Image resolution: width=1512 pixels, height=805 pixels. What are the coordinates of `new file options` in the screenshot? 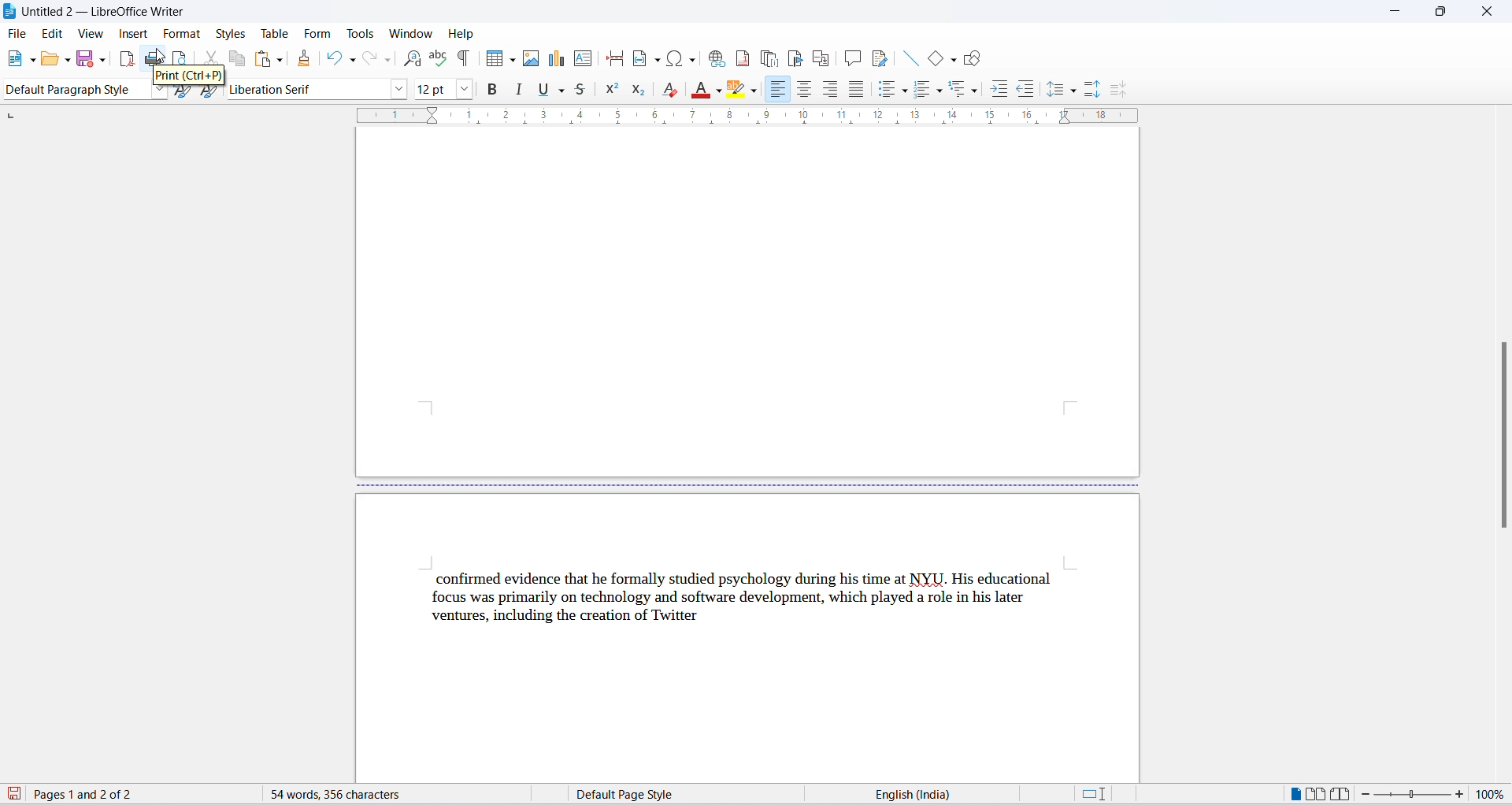 It's located at (32, 61).